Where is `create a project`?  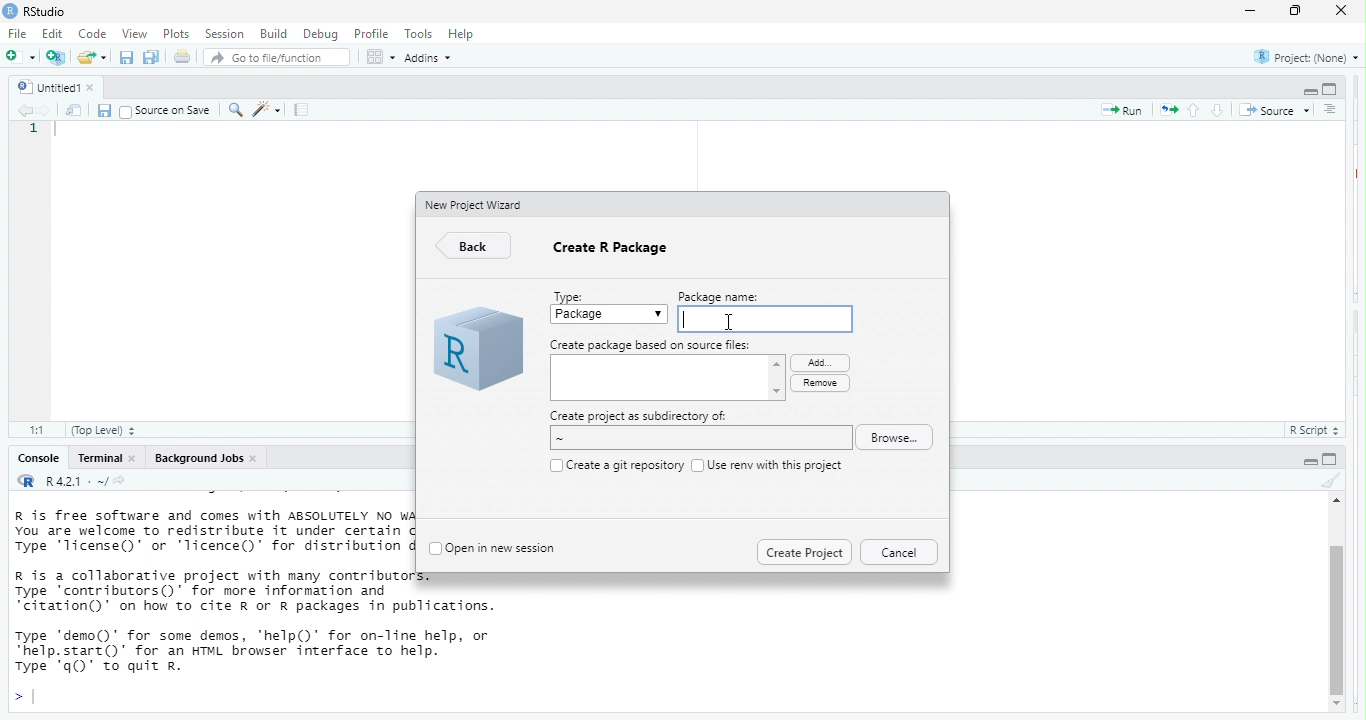 create a project is located at coordinates (55, 55).